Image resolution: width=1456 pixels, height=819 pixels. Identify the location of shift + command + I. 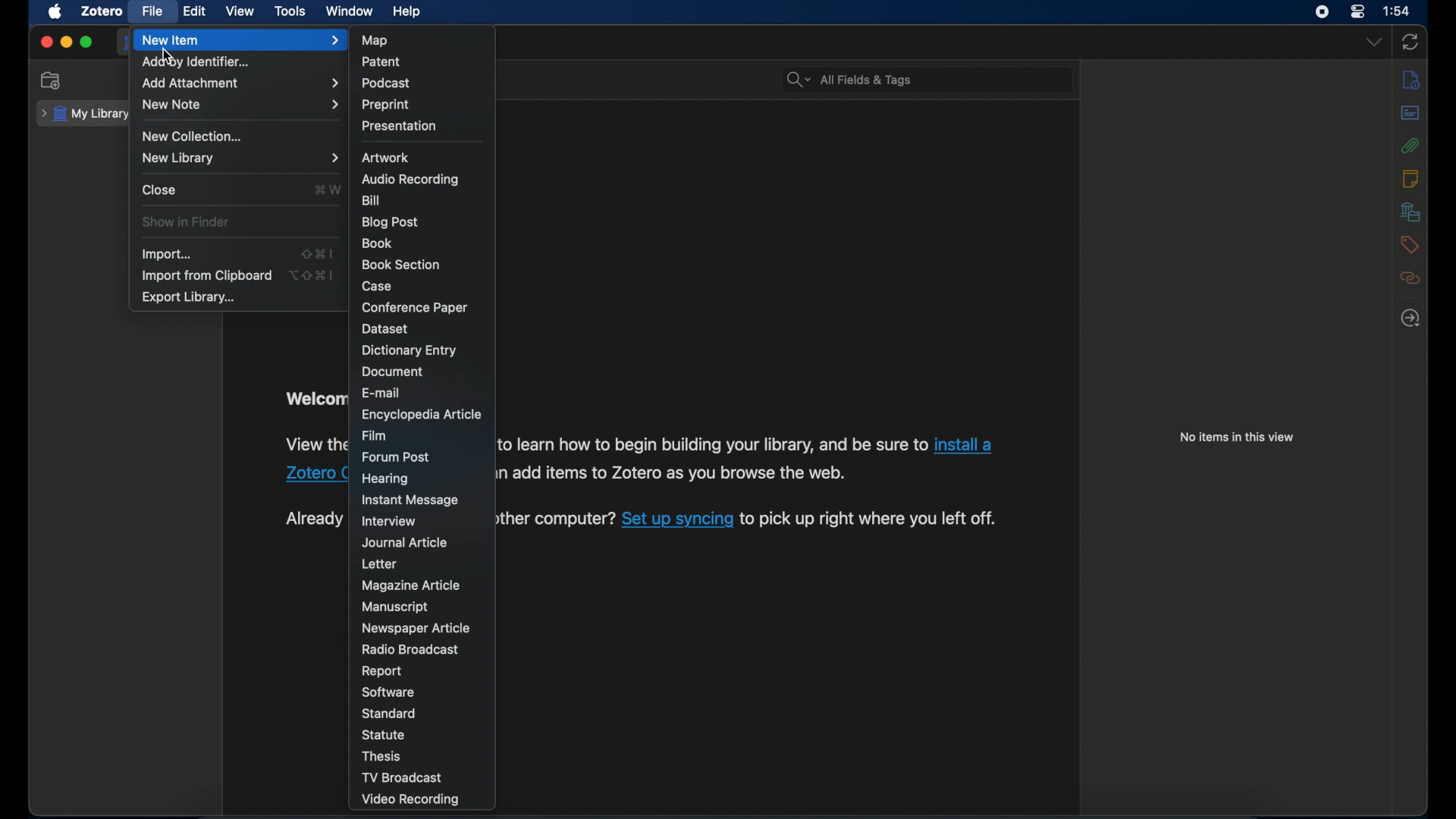
(318, 253).